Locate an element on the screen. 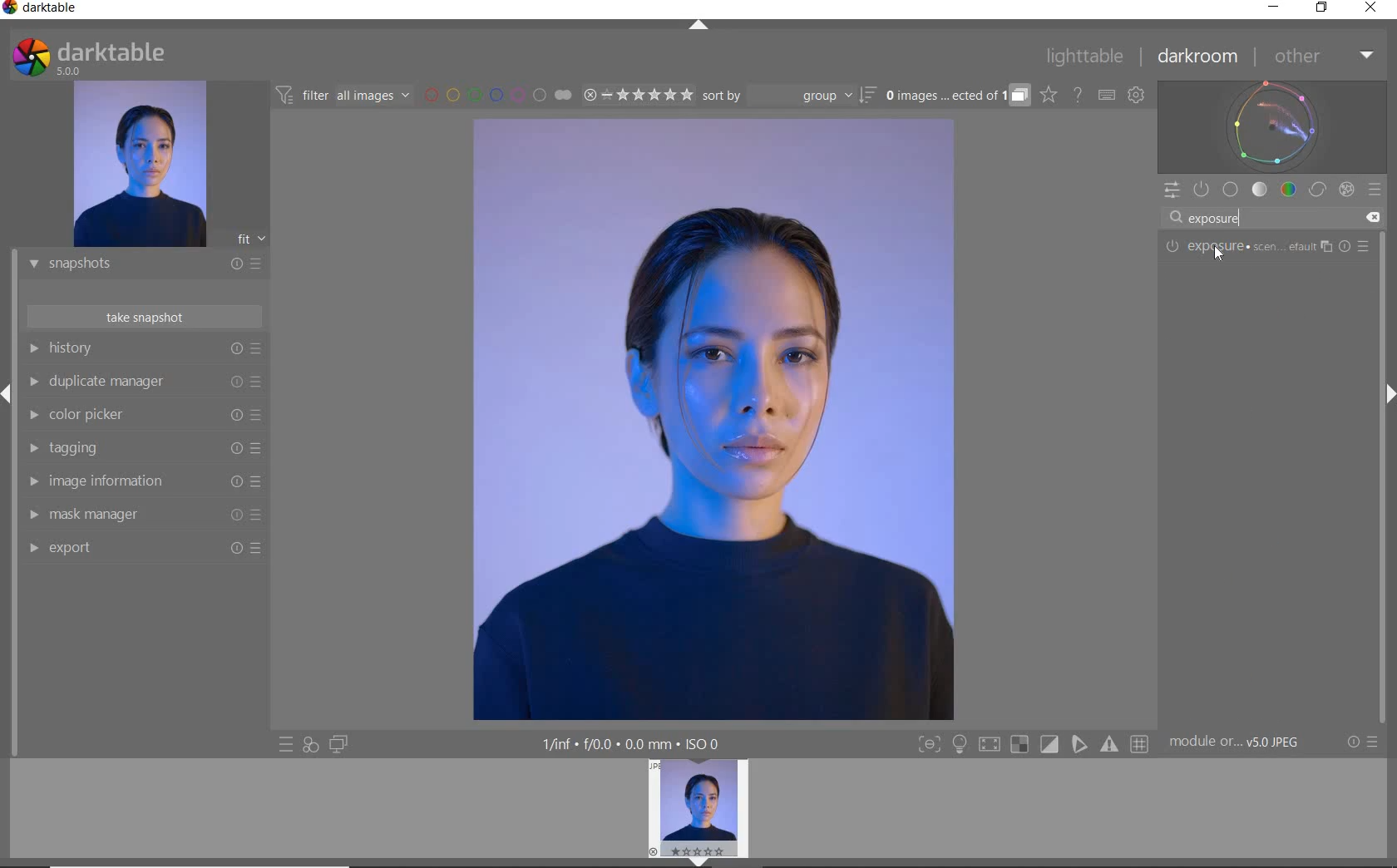 This screenshot has height=868, width=1397. Button is located at coordinates (989, 747).